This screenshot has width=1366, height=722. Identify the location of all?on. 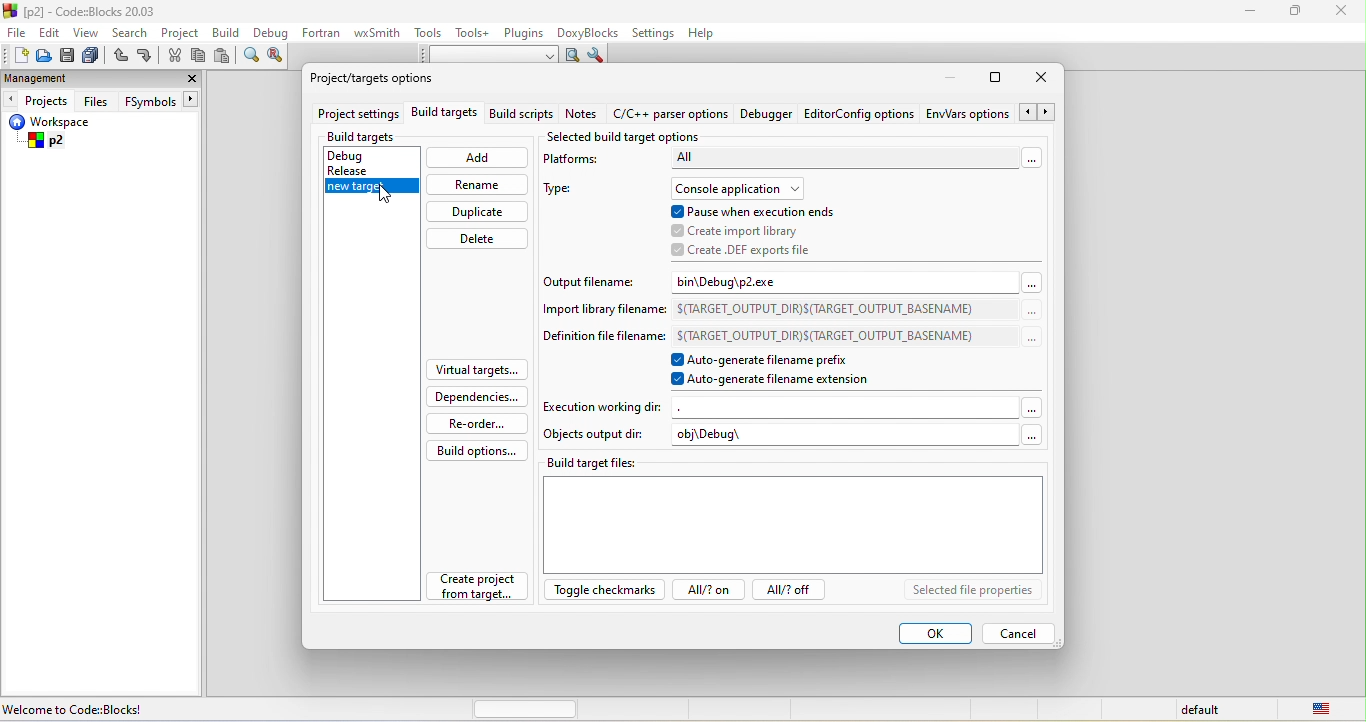
(705, 592).